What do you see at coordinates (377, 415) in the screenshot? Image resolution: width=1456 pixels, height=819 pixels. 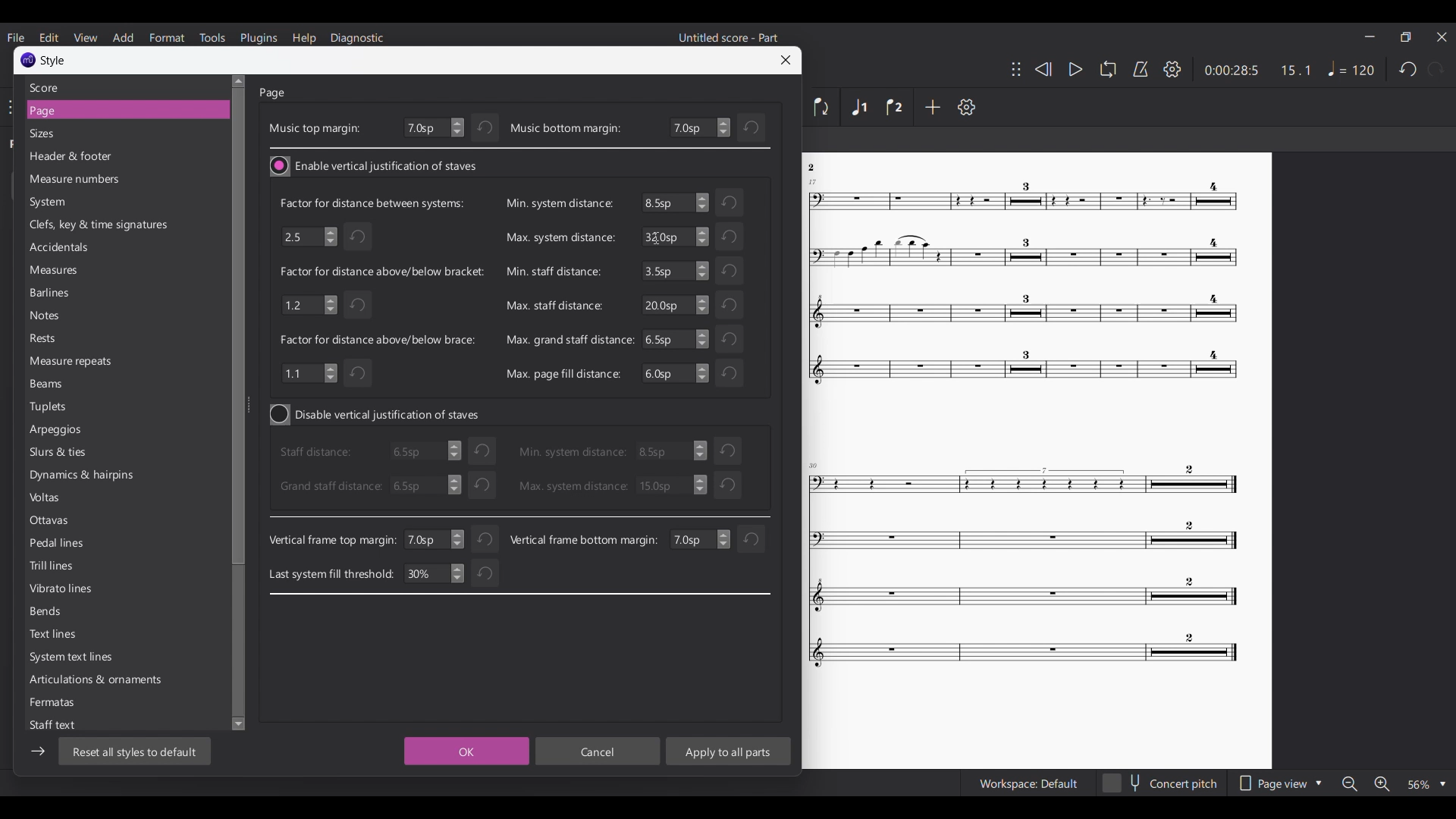 I see `Toggle for vertical justification` at bounding box center [377, 415].